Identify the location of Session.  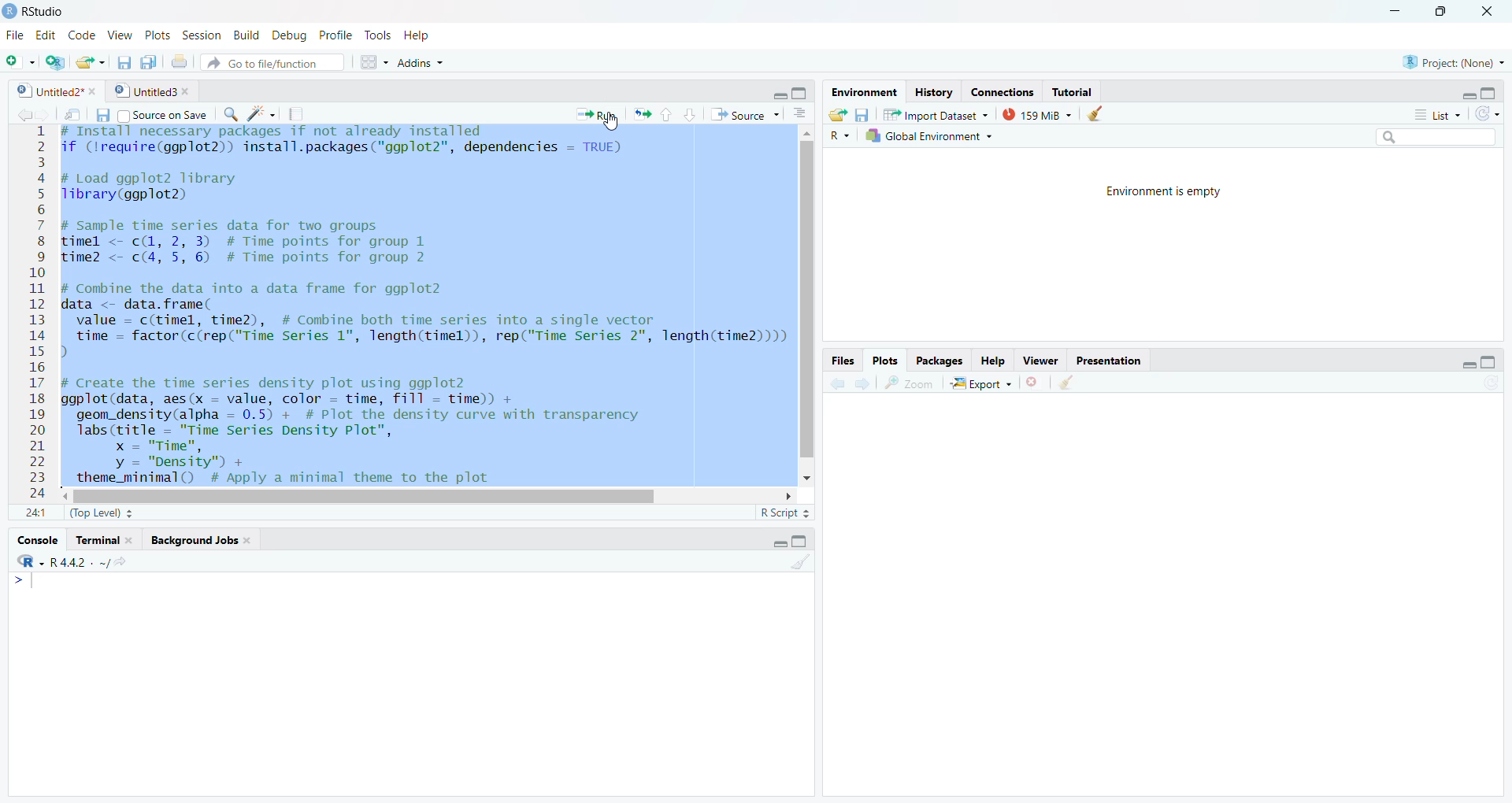
(202, 35).